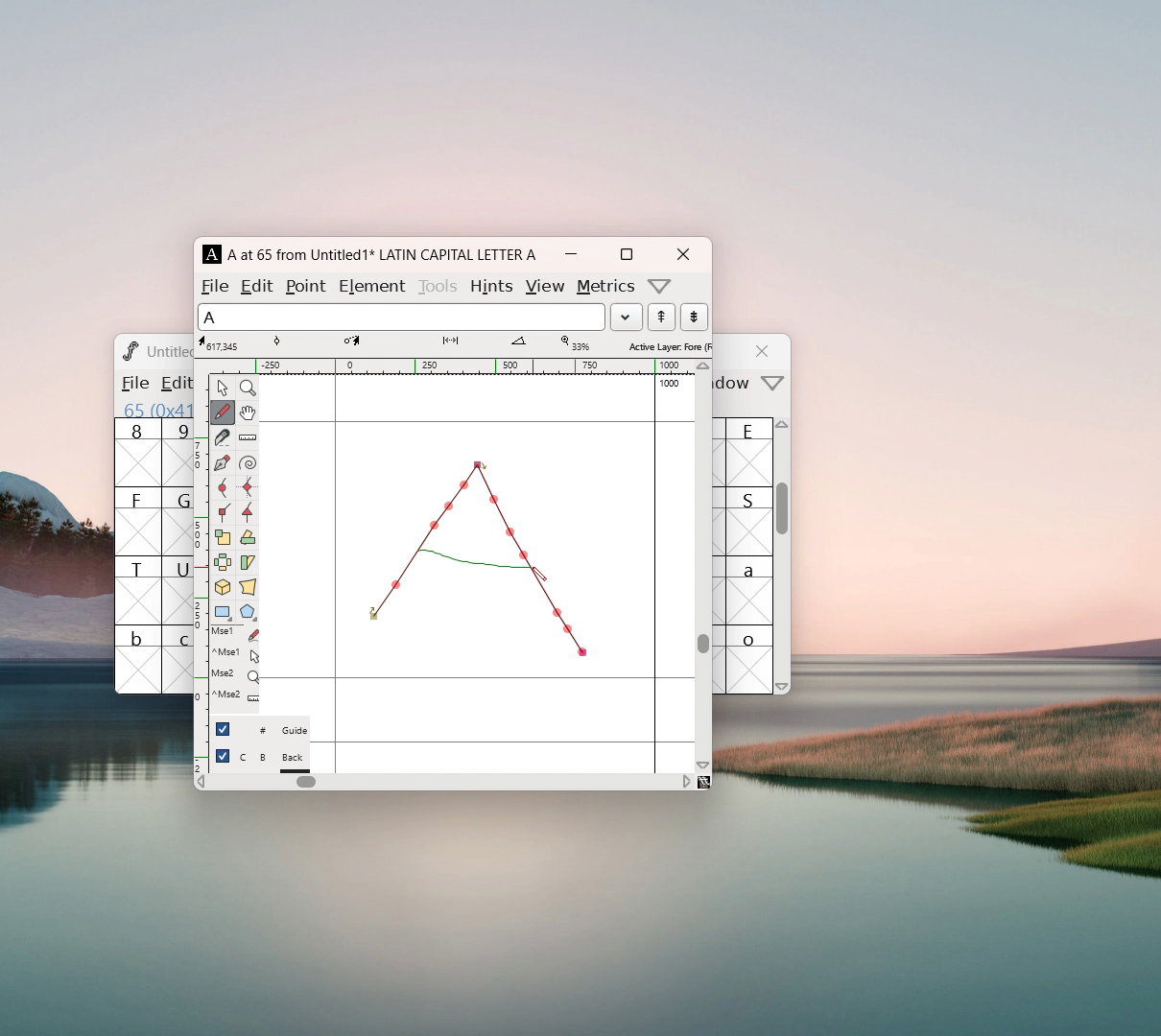 The width and height of the screenshot is (1161, 1036). What do you see at coordinates (478, 678) in the screenshot?
I see `baseline` at bounding box center [478, 678].